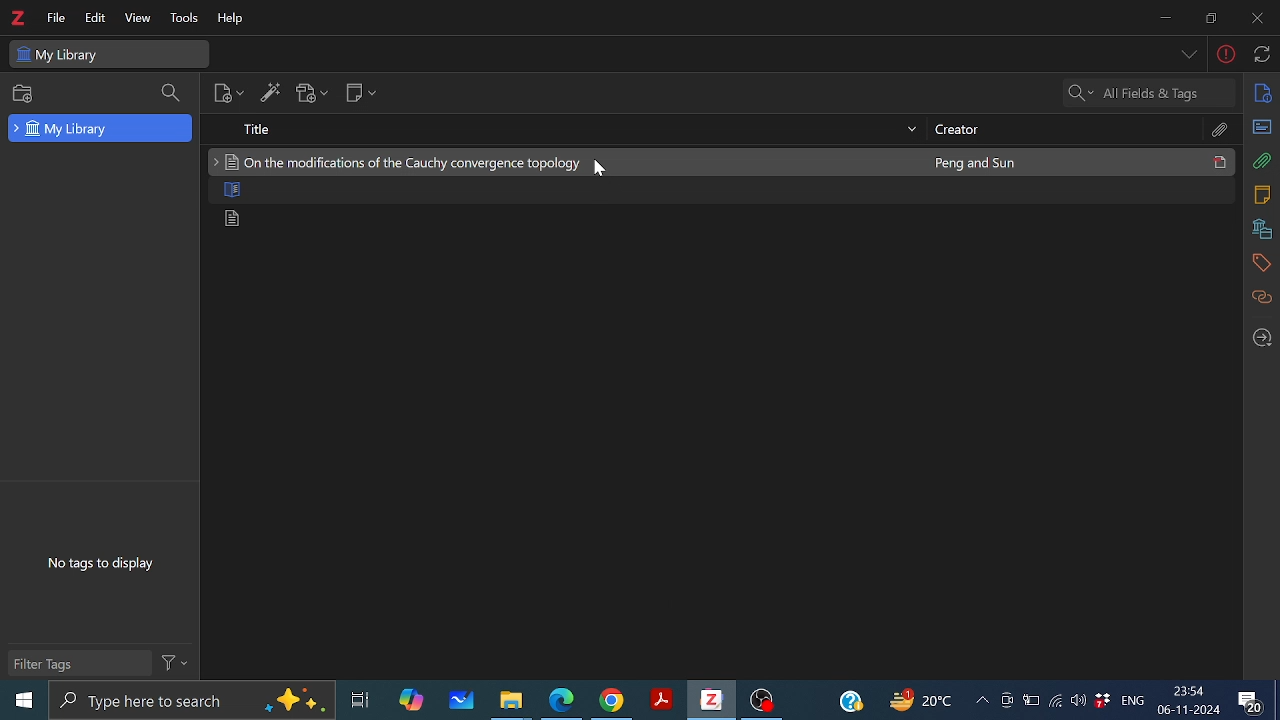  I want to click on Edit, so click(92, 18).